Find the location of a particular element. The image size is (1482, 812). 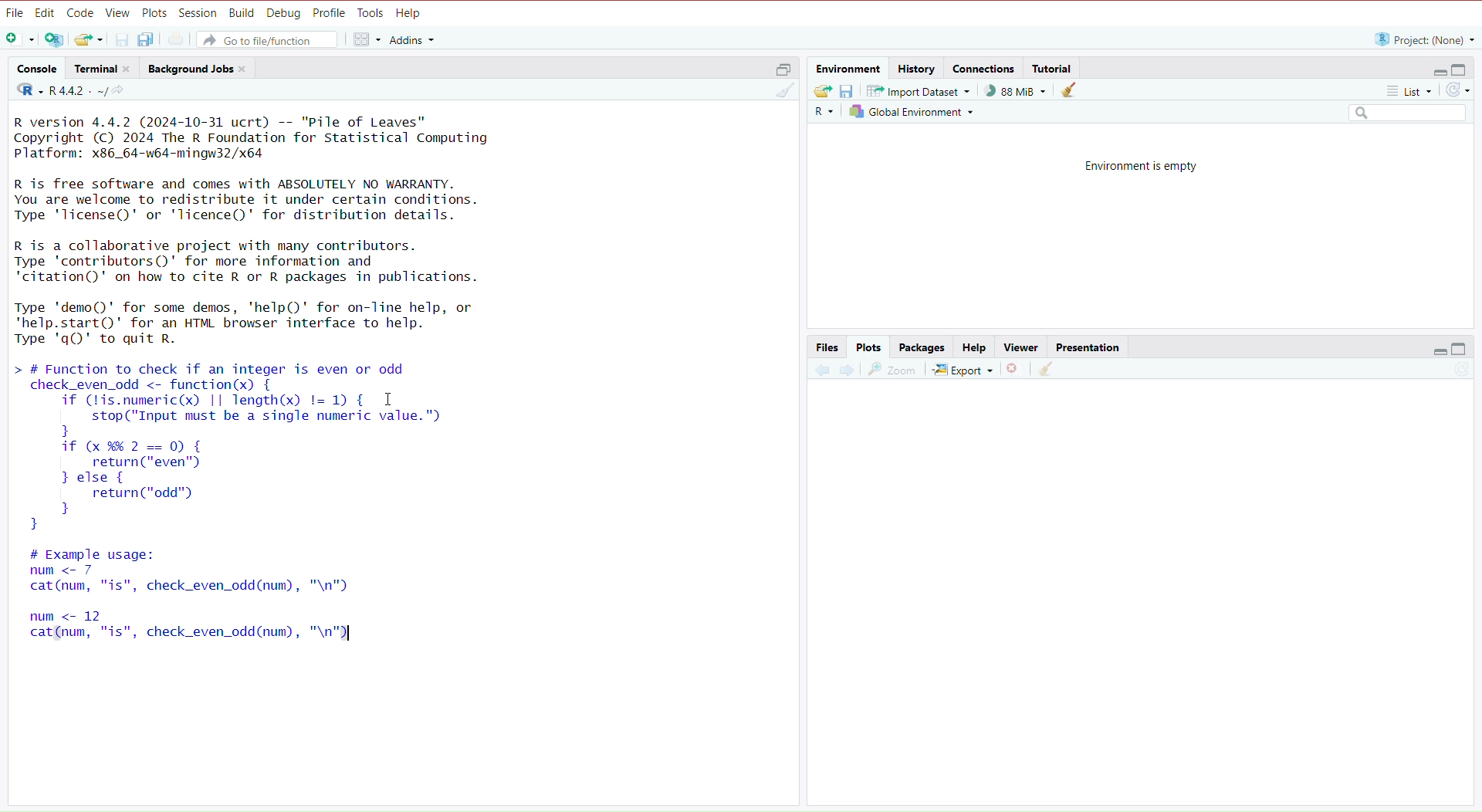

clear console is located at coordinates (779, 92).